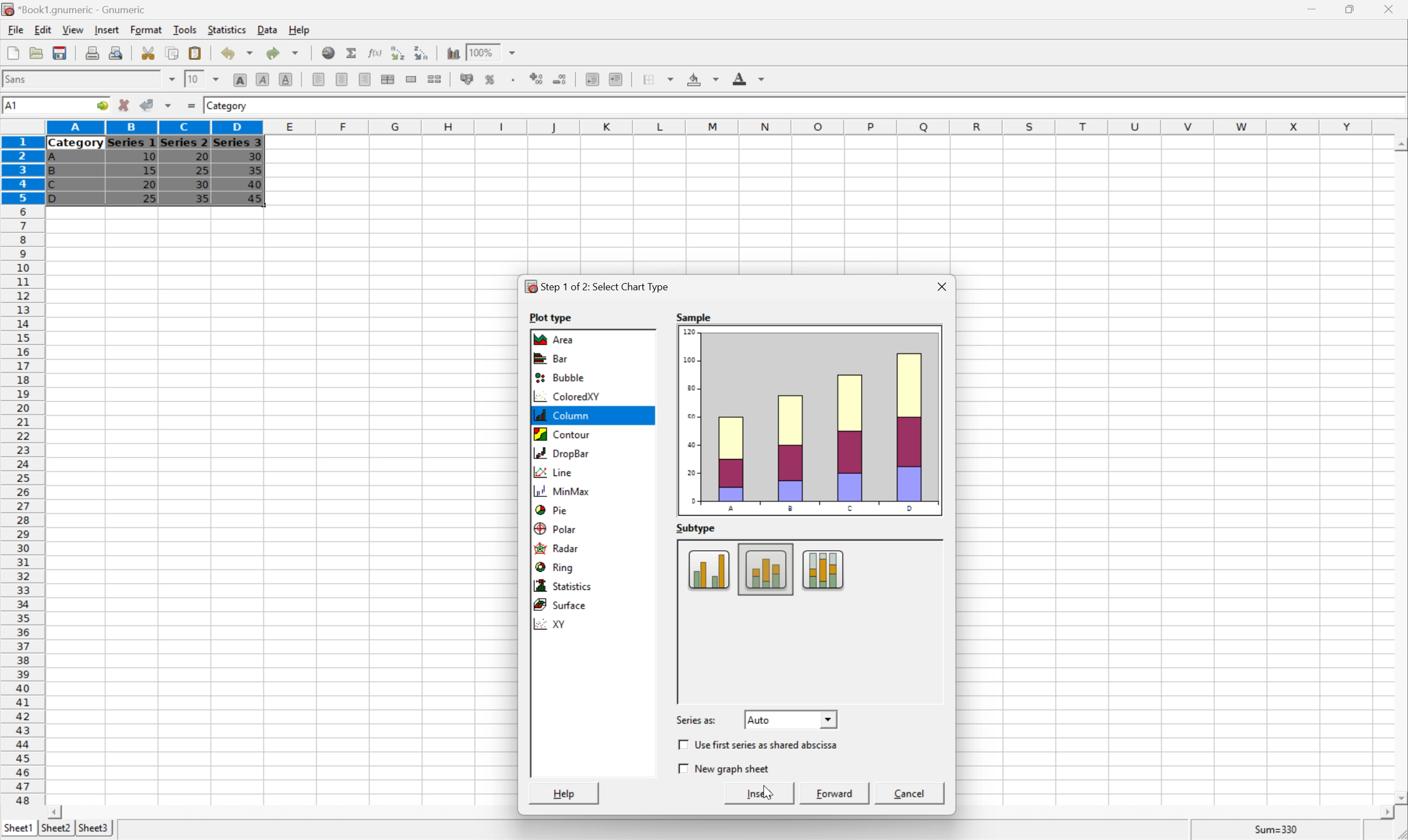 The width and height of the screenshot is (1408, 840). What do you see at coordinates (829, 718) in the screenshot?
I see `Drop Down` at bounding box center [829, 718].